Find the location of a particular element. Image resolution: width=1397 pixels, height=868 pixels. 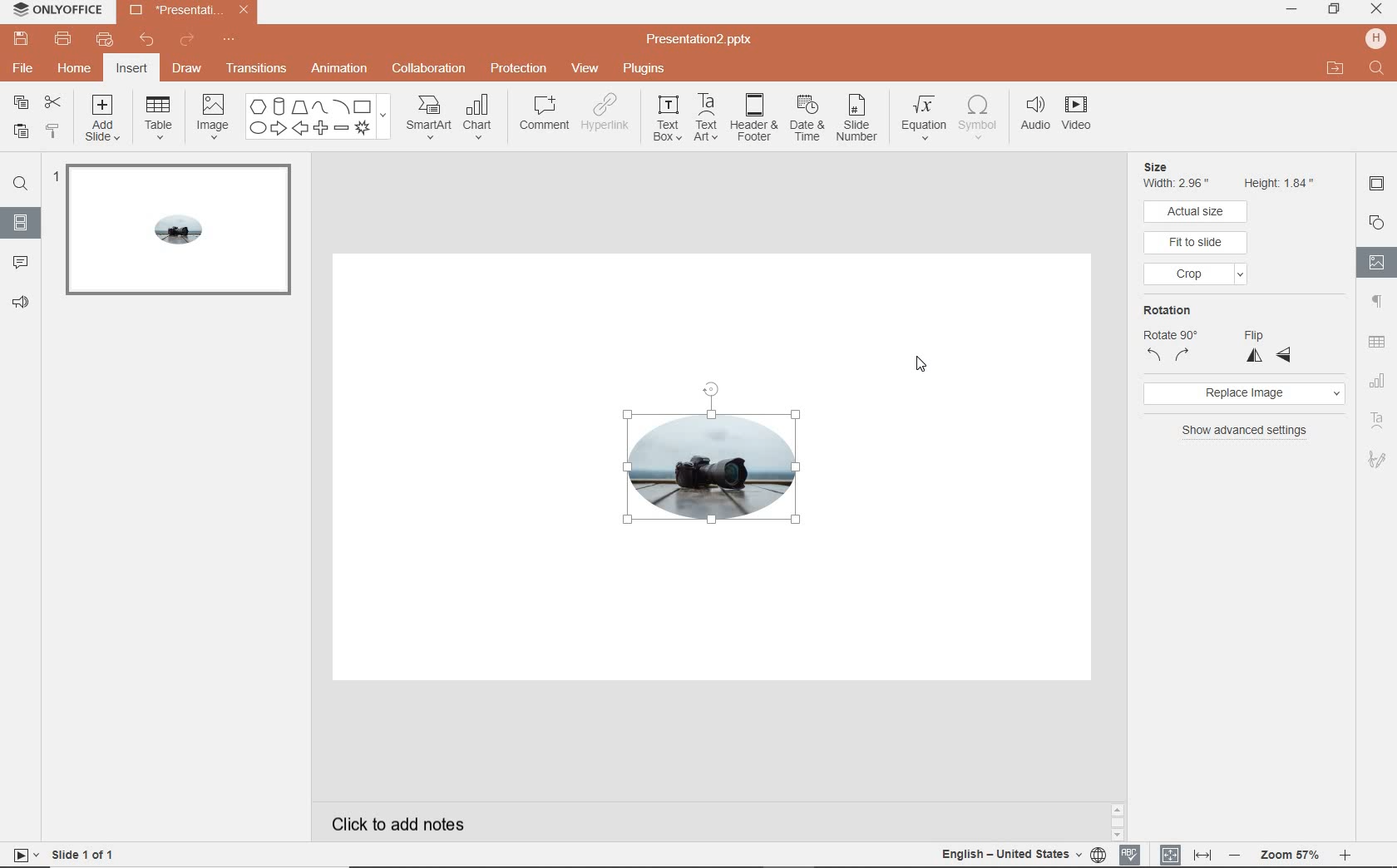

audio is located at coordinates (1034, 116).